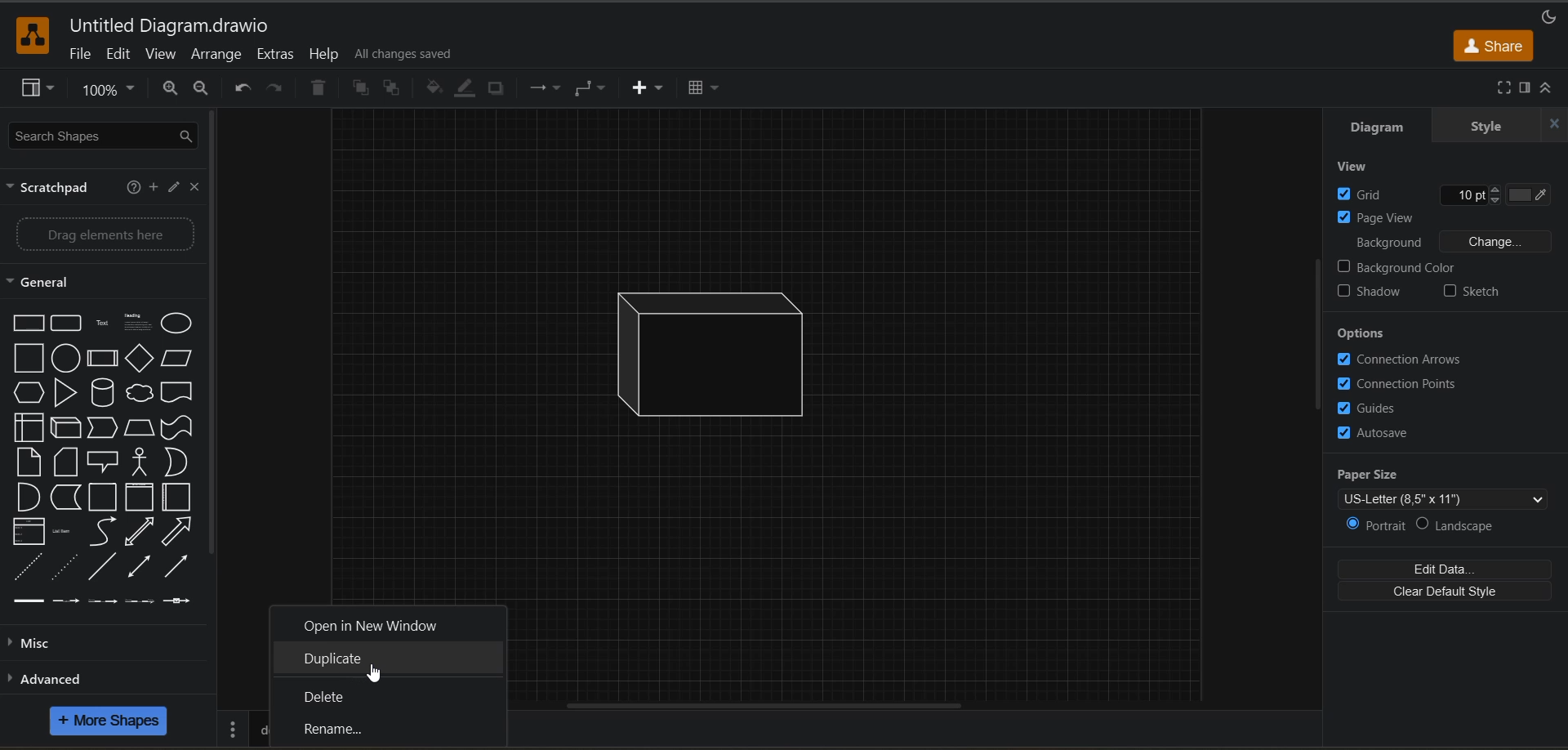 Image resolution: width=1568 pixels, height=750 pixels. What do you see at coordinates (33, 35) in the screenshot?
I see `app logo` at bounding box center [33, 35].